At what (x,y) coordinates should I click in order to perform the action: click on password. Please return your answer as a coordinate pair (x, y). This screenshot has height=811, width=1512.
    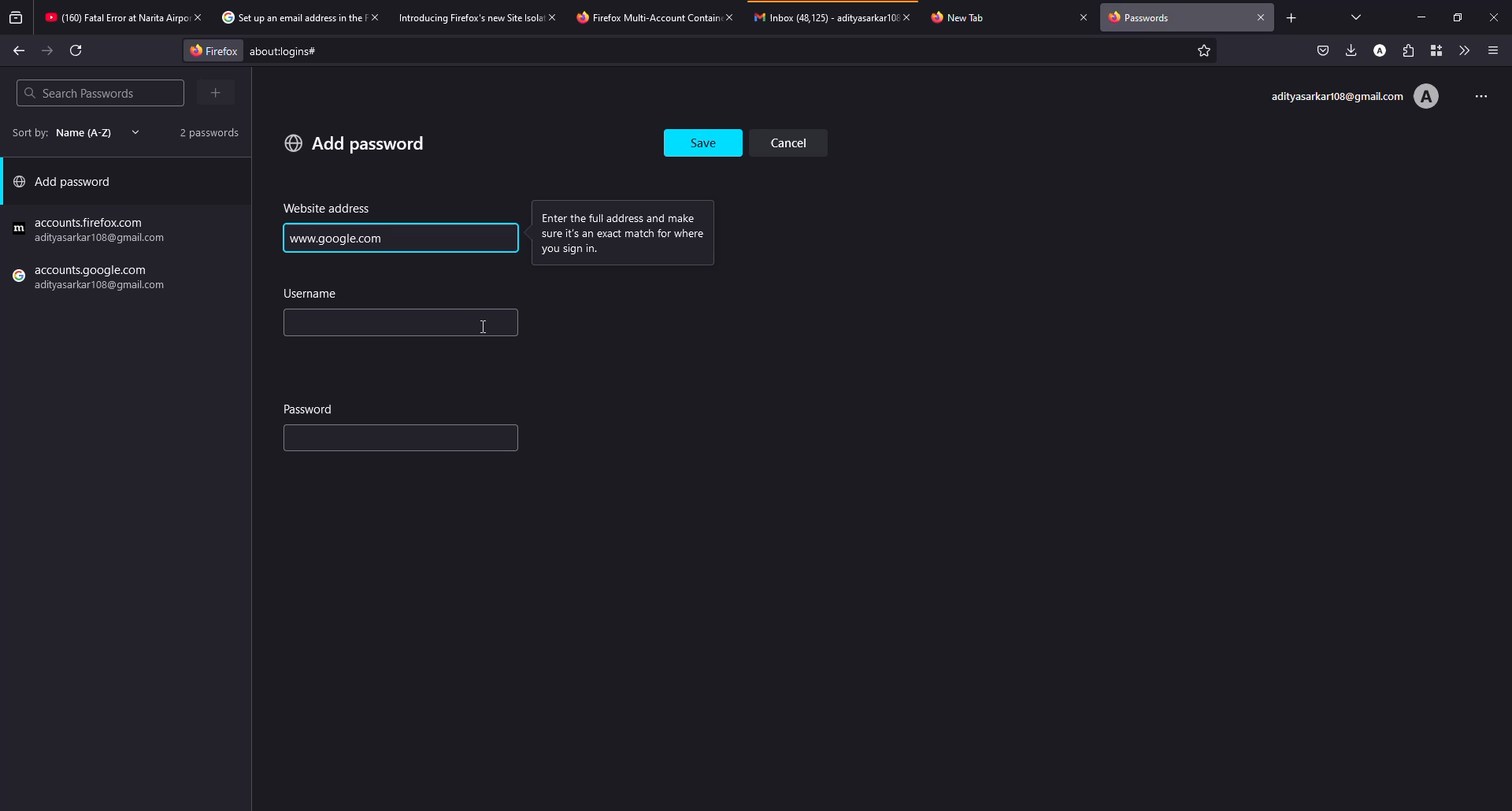
    Looking at the image, I should click on (310, 408).